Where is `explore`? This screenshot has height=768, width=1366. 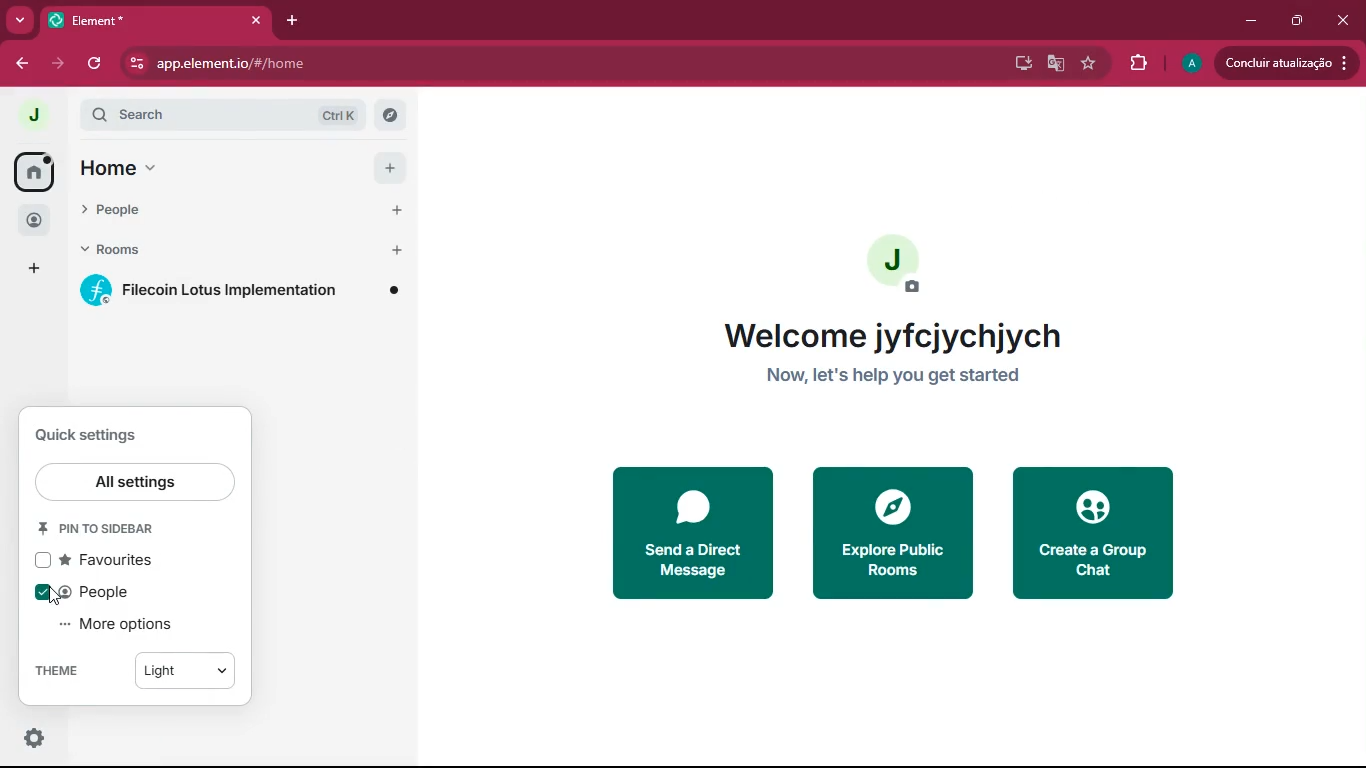 explore is located at coordinates (890, 533).